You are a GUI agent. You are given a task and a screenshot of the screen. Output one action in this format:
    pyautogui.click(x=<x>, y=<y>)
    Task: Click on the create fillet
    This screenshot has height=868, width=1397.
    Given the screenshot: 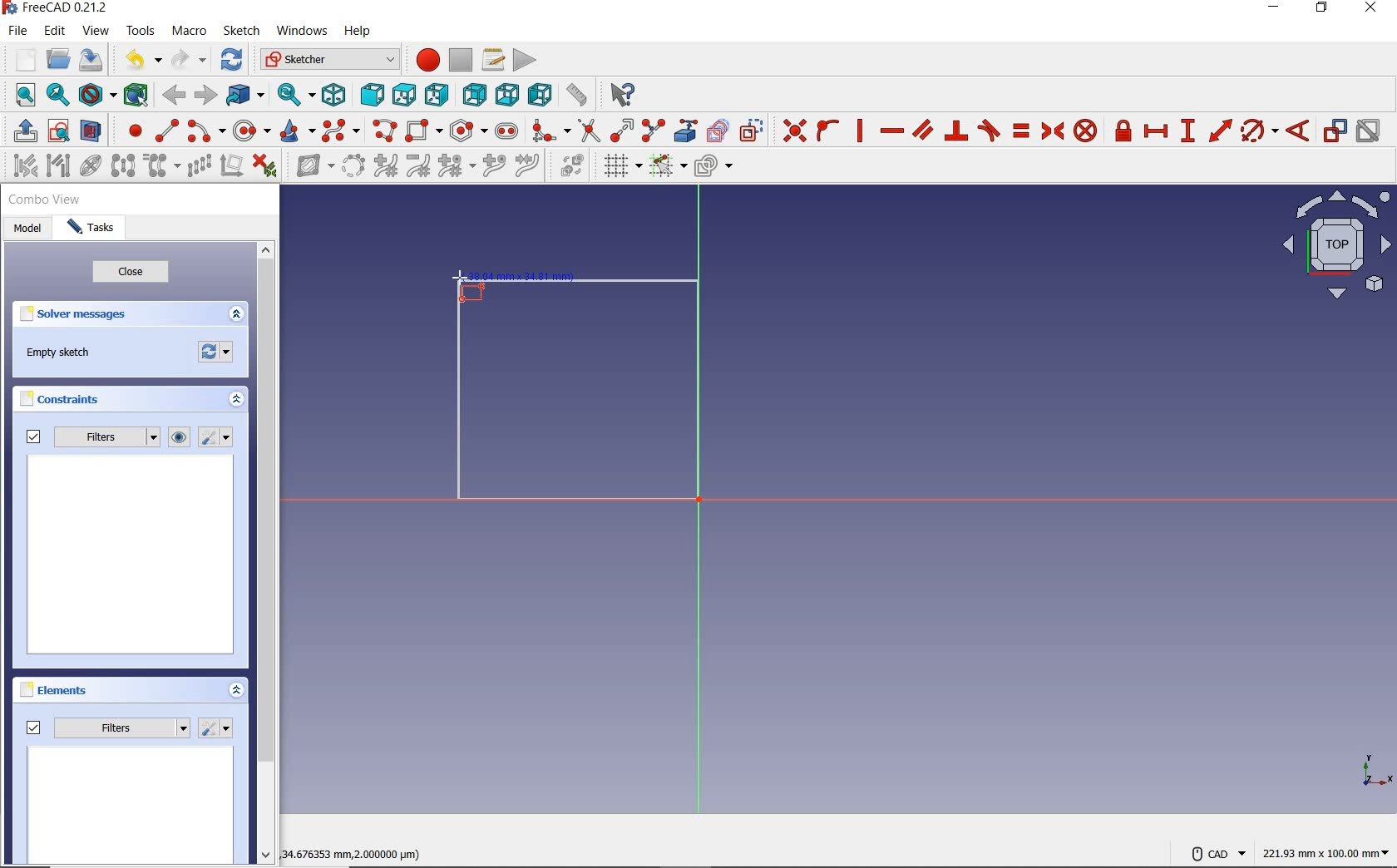 What is the action you would take?
    pyautogui.click(x=546, y=131)
    